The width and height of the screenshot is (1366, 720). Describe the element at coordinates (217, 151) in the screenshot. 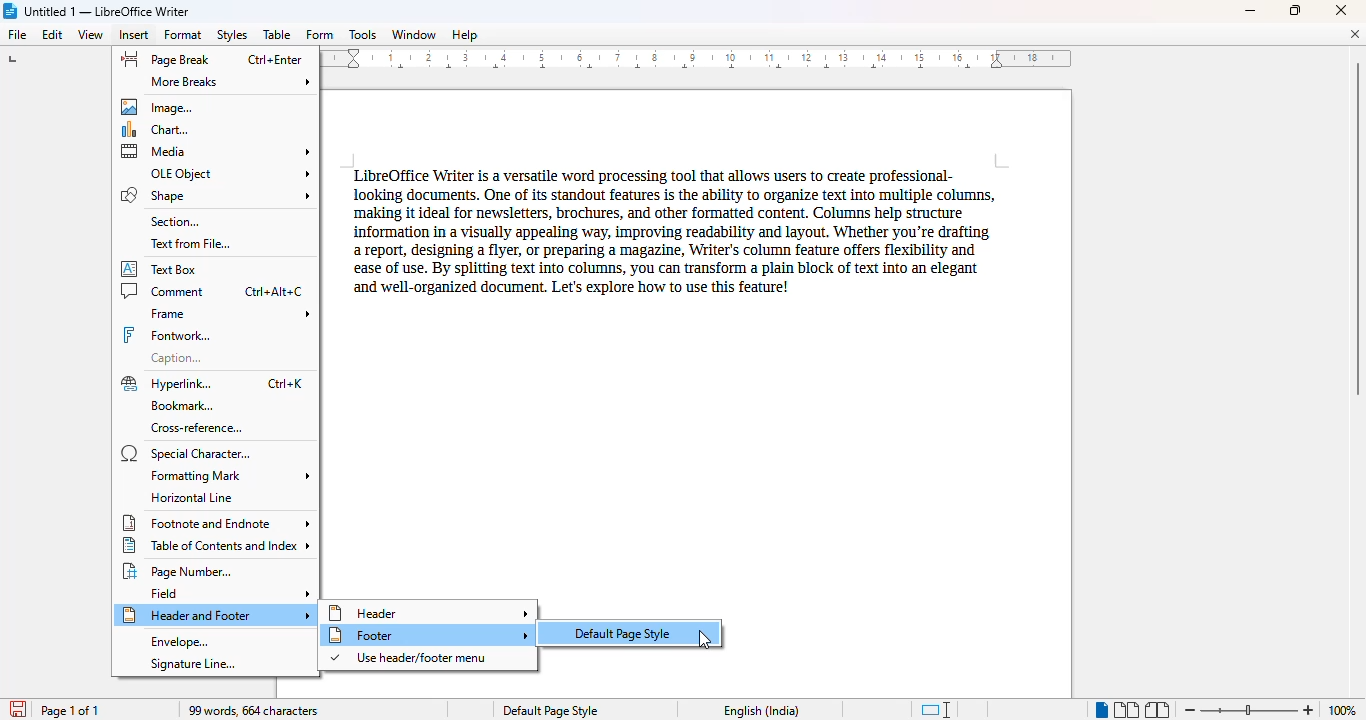

I see `media` at that location.